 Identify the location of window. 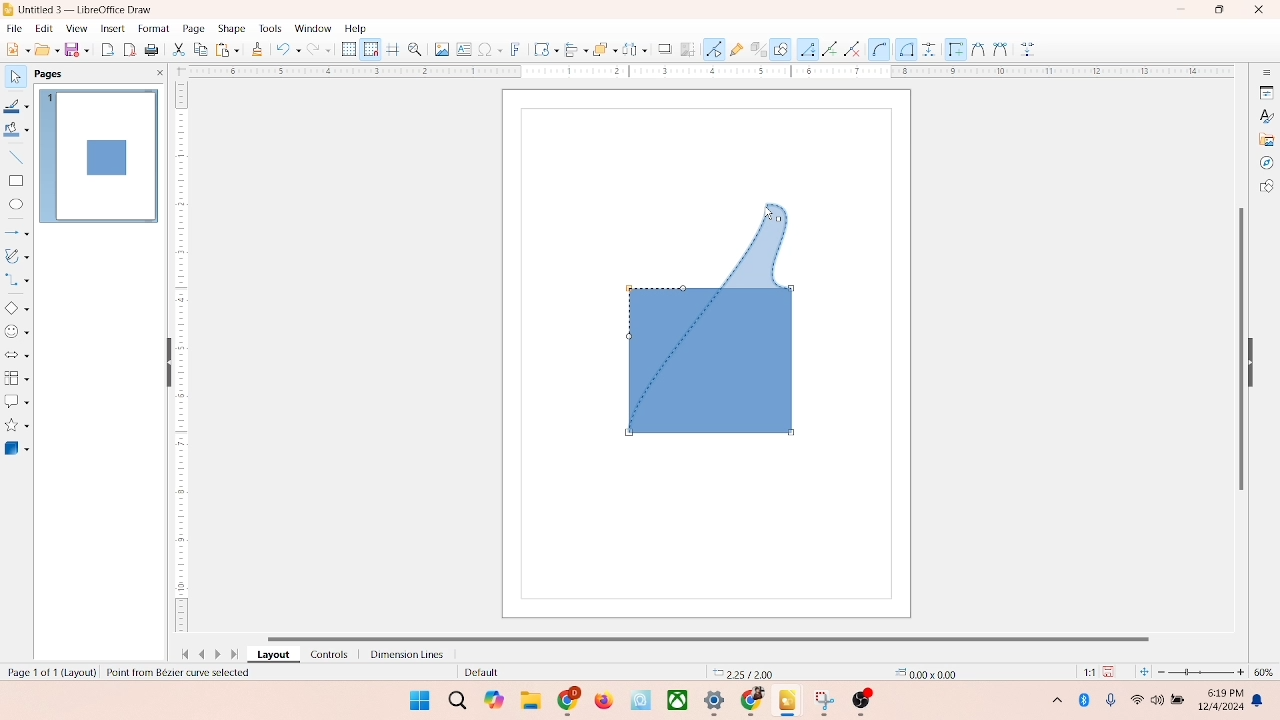
(312, 29).